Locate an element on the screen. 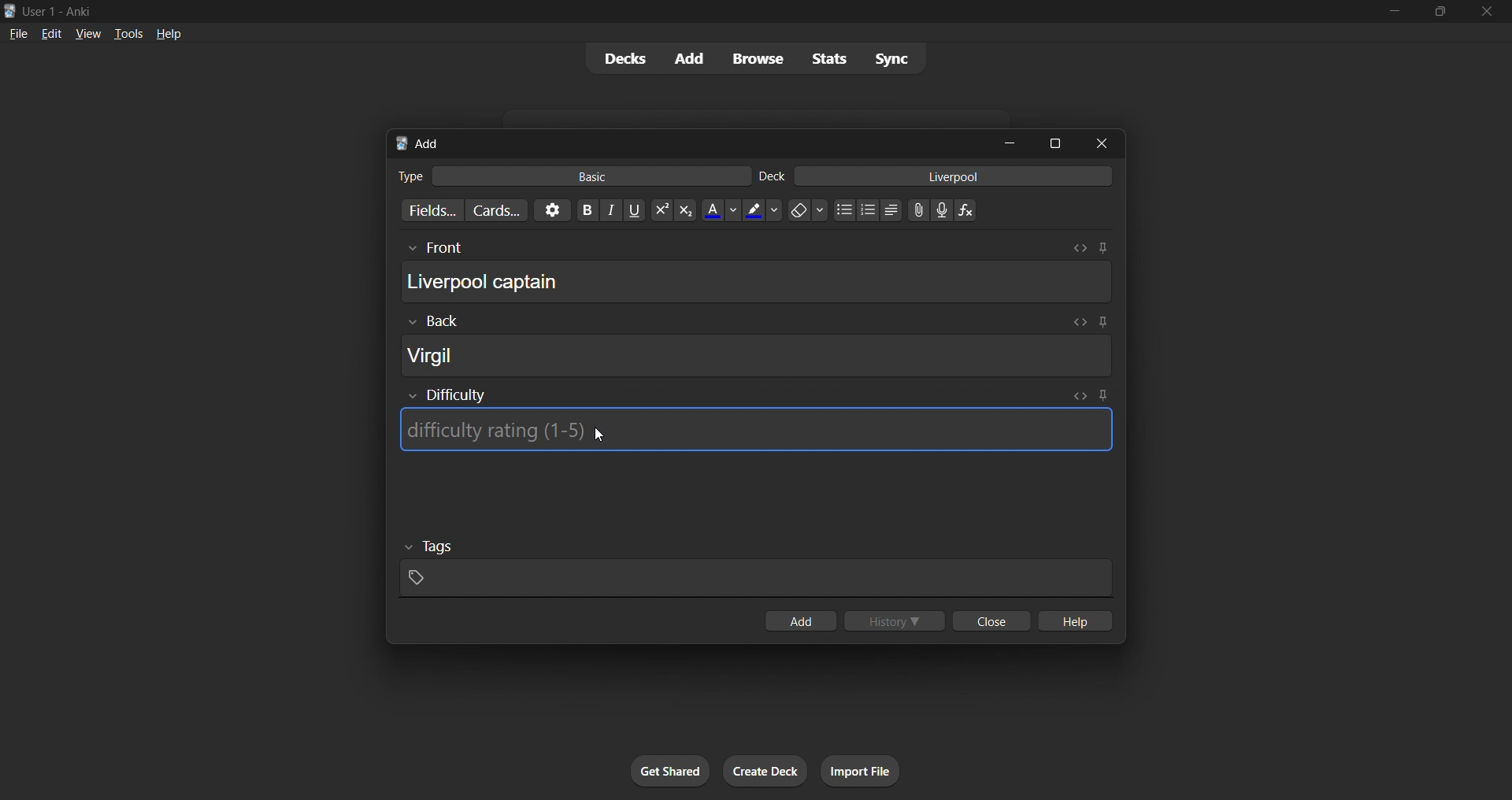 The height and width of the screenshot is (800, 1512). Toggle HTML editor is located at coordinates (1078, 322).